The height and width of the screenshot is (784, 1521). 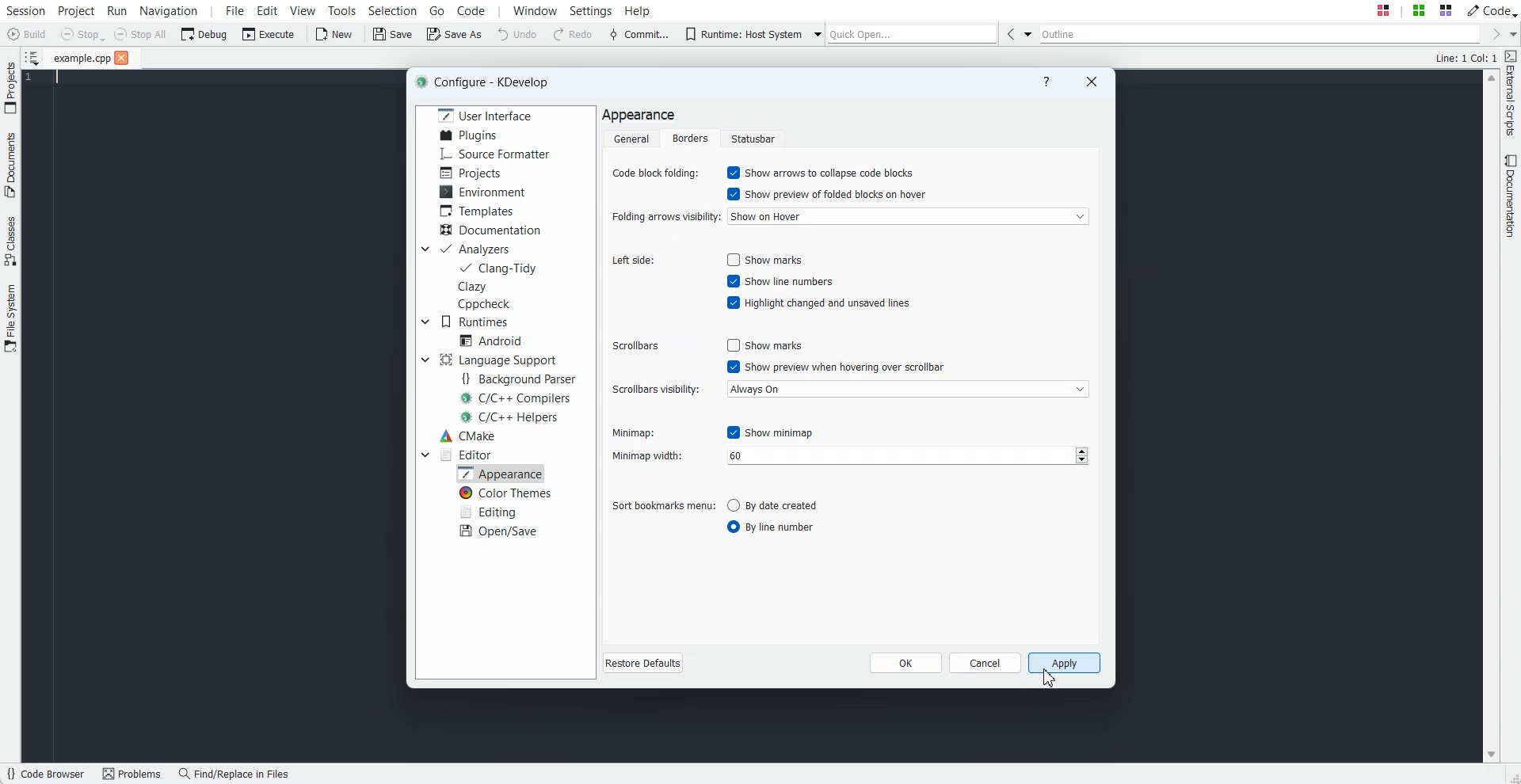 What do you see at coordinates (425, 321) in the screenshot?
I see `Drop down box` at bounding box center [425, 321].